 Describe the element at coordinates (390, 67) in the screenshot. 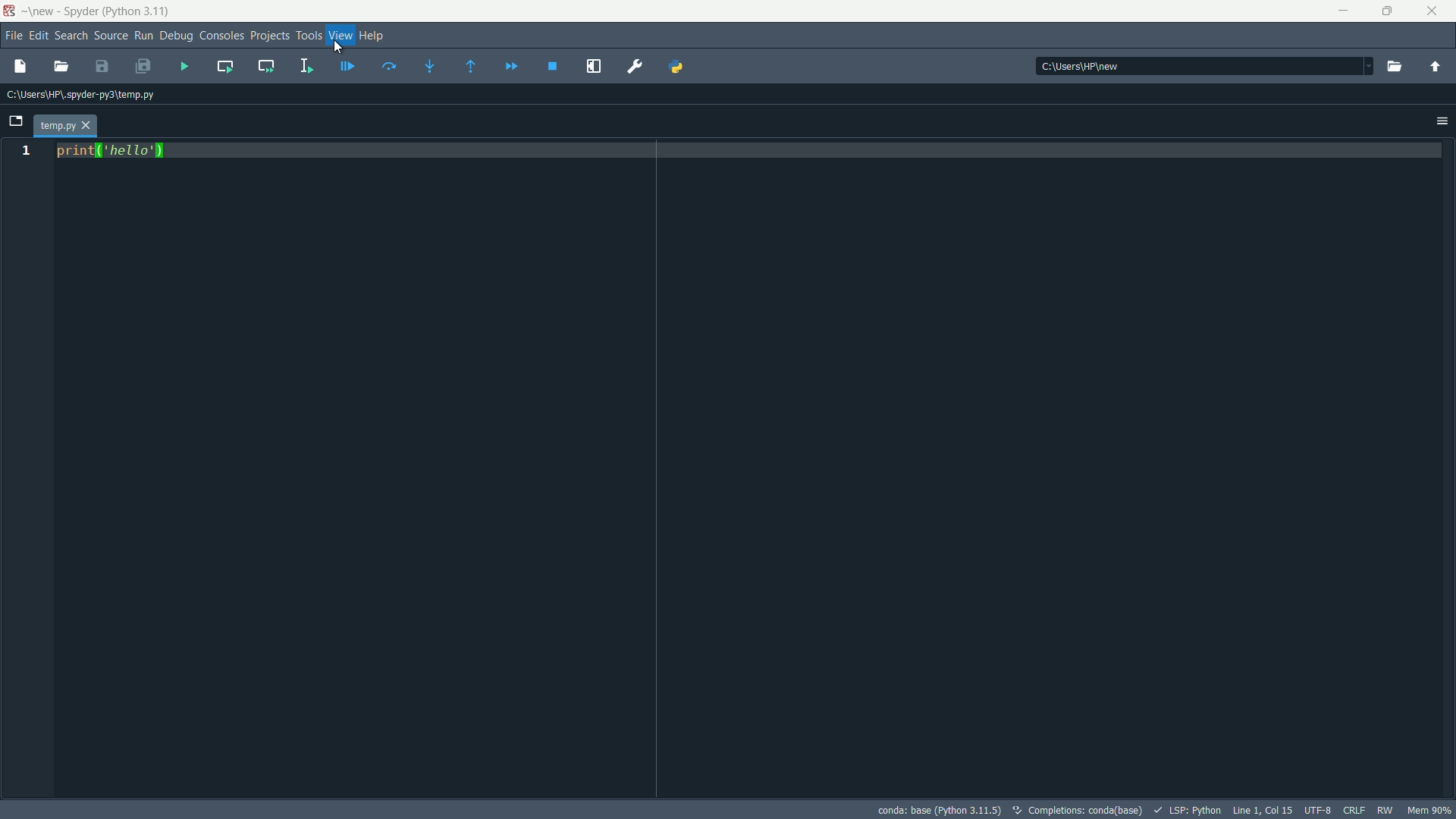

I see `run current file` at that location.